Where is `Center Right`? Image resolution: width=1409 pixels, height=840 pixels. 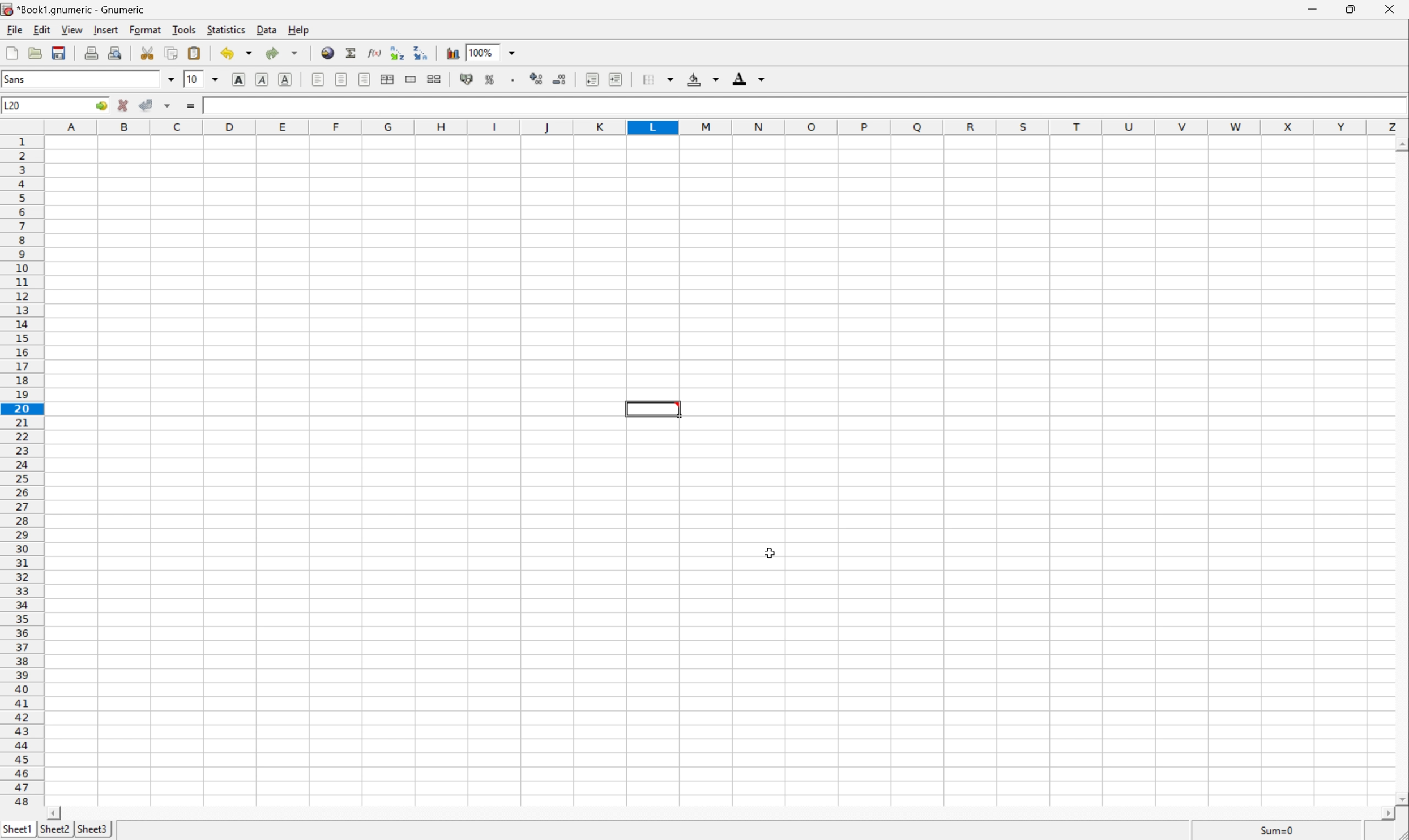 Center Right is located at coordinates (364, 80).